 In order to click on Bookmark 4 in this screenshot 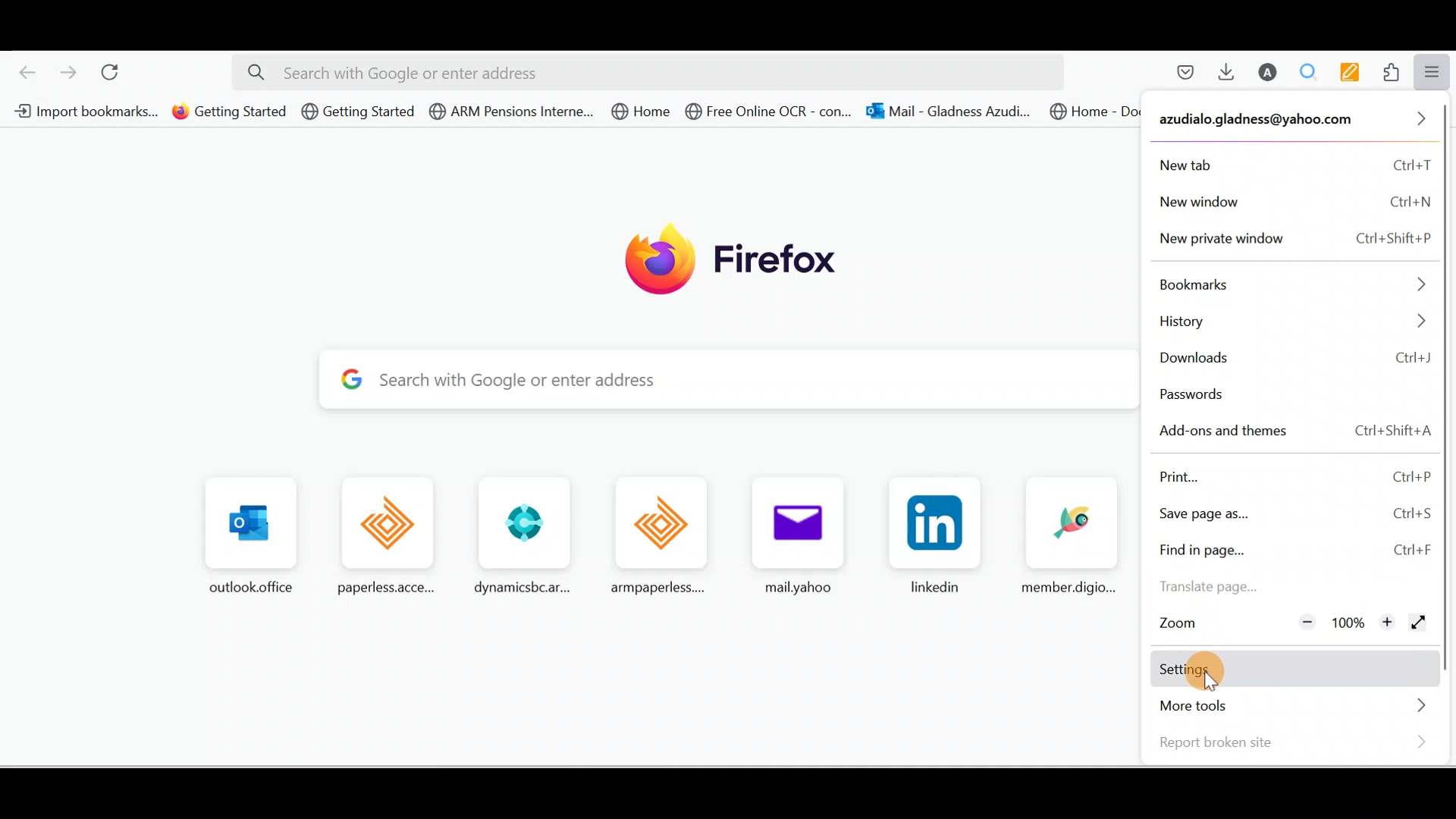, I will do `click(513, 115)`.